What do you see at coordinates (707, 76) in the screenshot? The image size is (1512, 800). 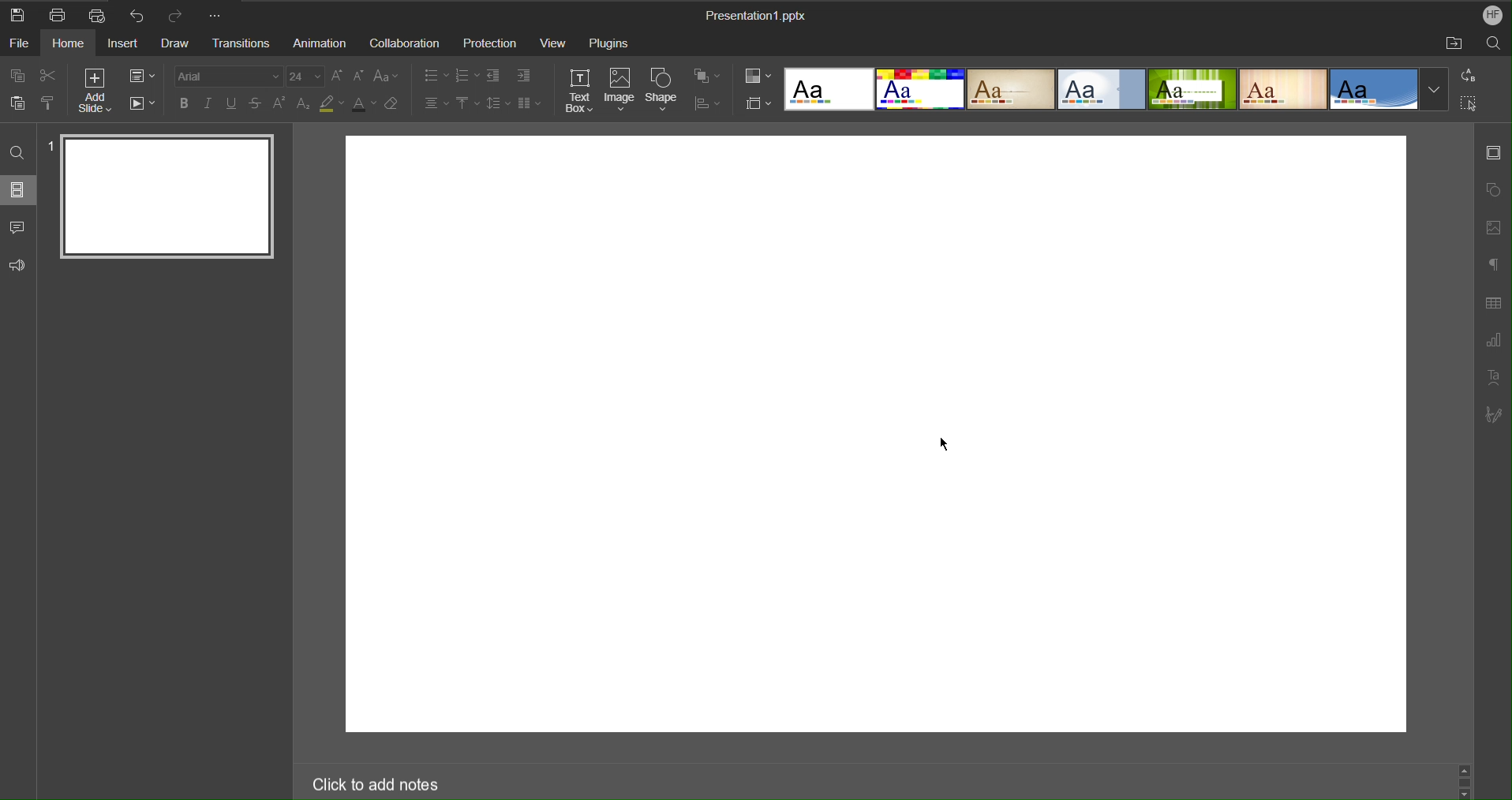 I see `Arrange` at bounding box center [707, 76].